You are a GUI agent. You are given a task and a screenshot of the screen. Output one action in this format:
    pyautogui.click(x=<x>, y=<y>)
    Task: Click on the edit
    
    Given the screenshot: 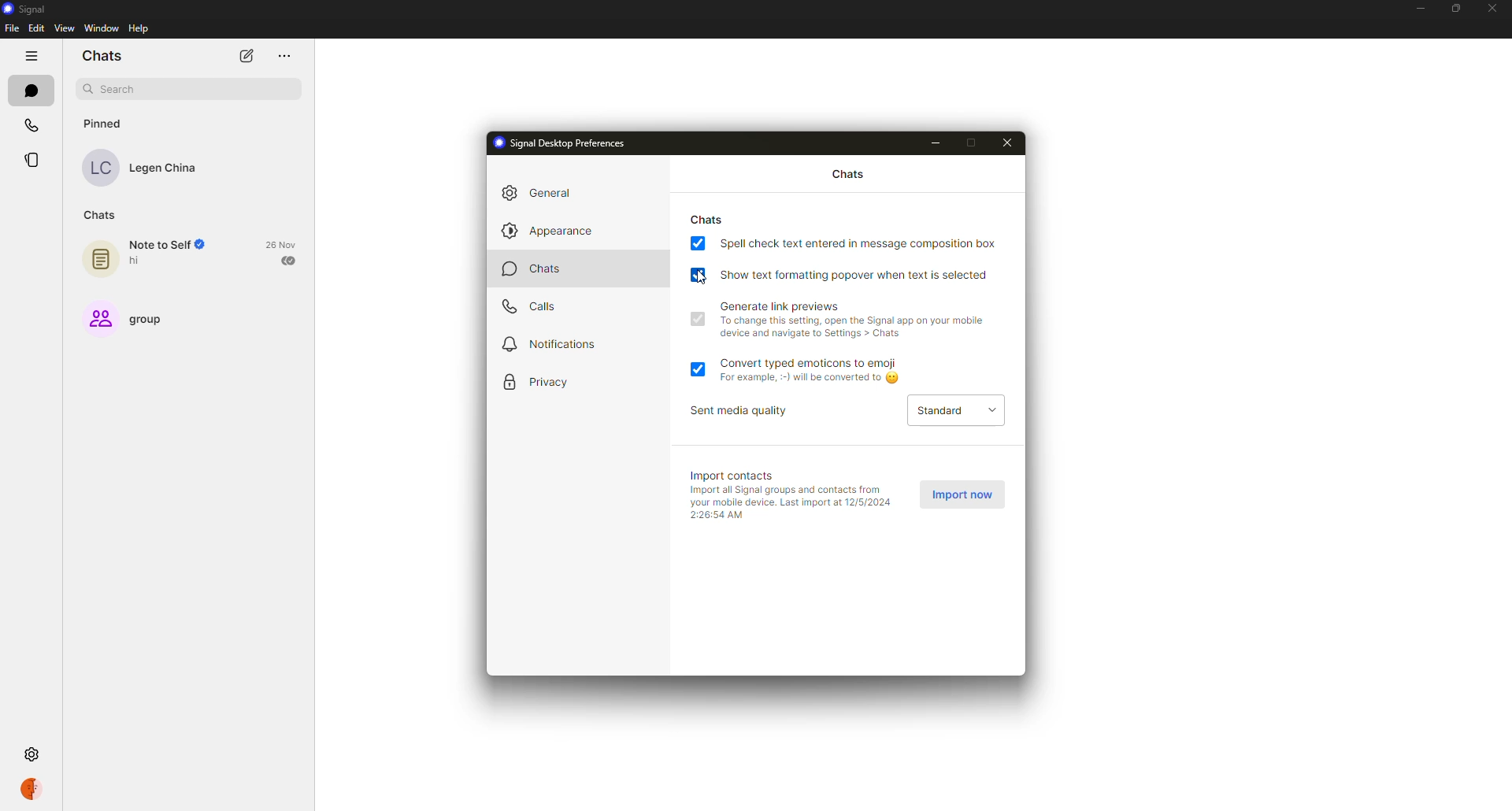 What is the action you would take?
    pyautogui.click(x=36, y=27)
    